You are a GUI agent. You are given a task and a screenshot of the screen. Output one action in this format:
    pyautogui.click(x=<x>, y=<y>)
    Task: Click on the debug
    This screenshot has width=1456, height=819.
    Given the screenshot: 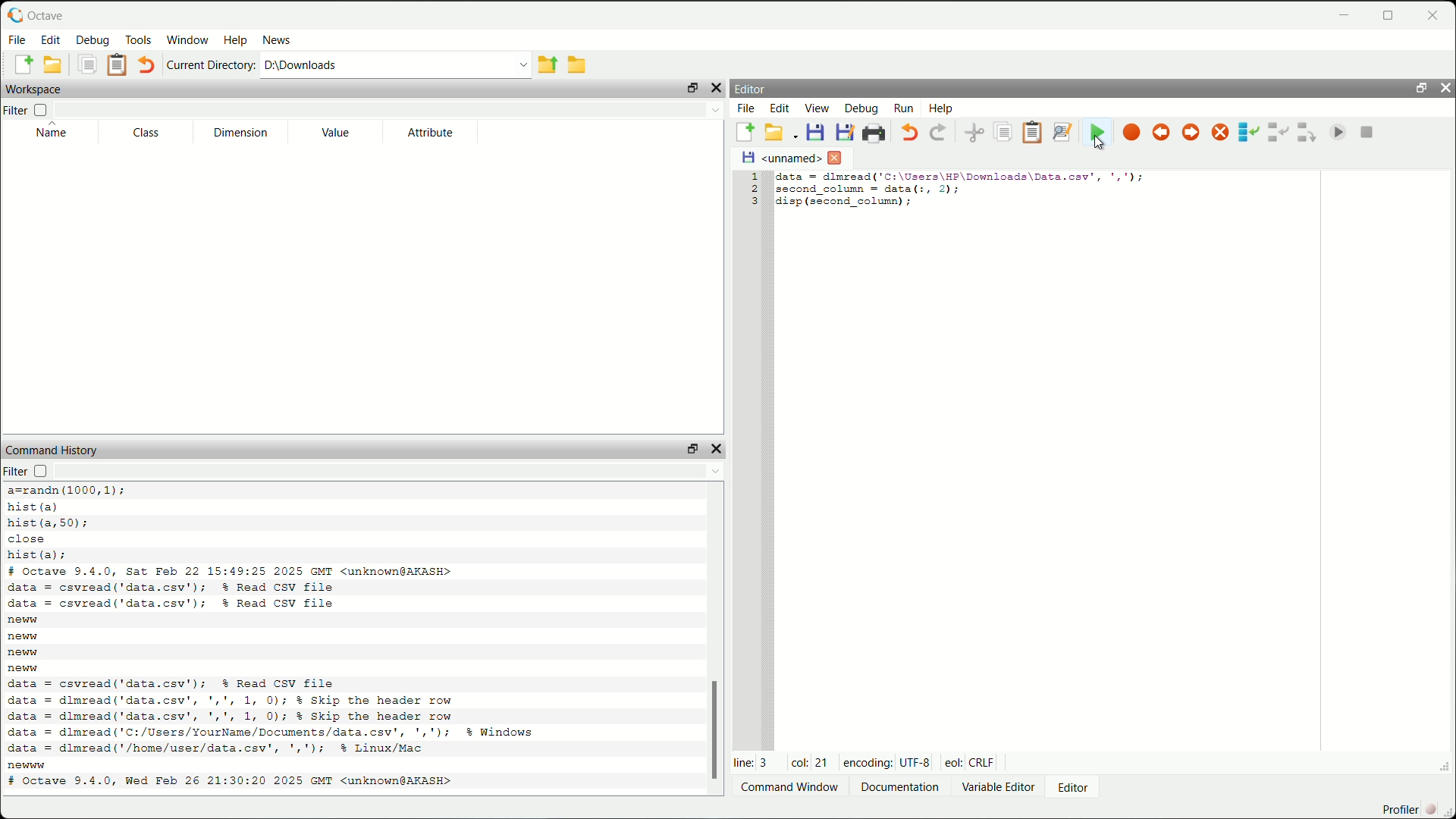 What is the action you would take?
    pyautogui.click(x=858, y=108)
    